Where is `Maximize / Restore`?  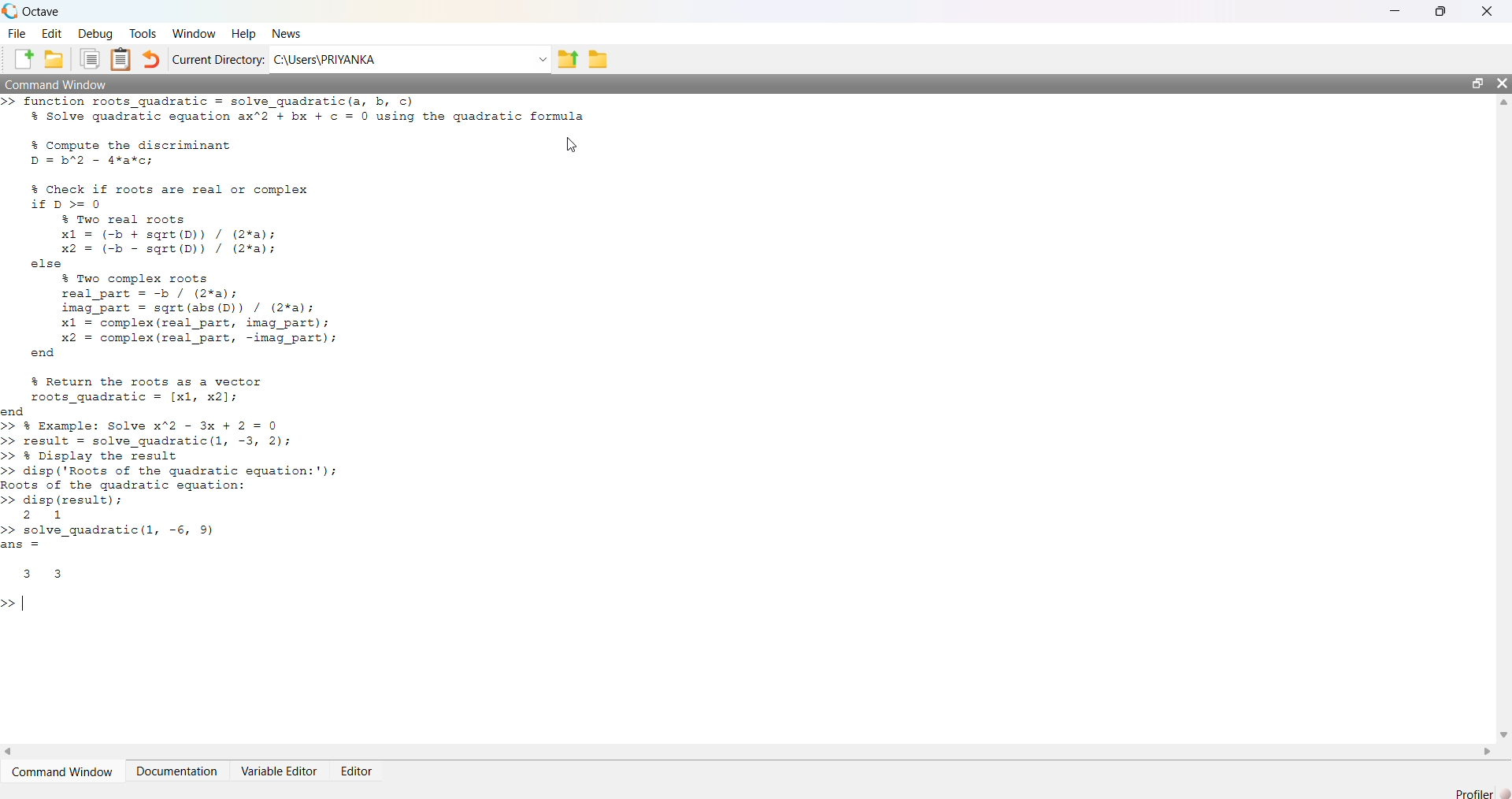
Maximize / Restore is located at coordinates (1444, 13).